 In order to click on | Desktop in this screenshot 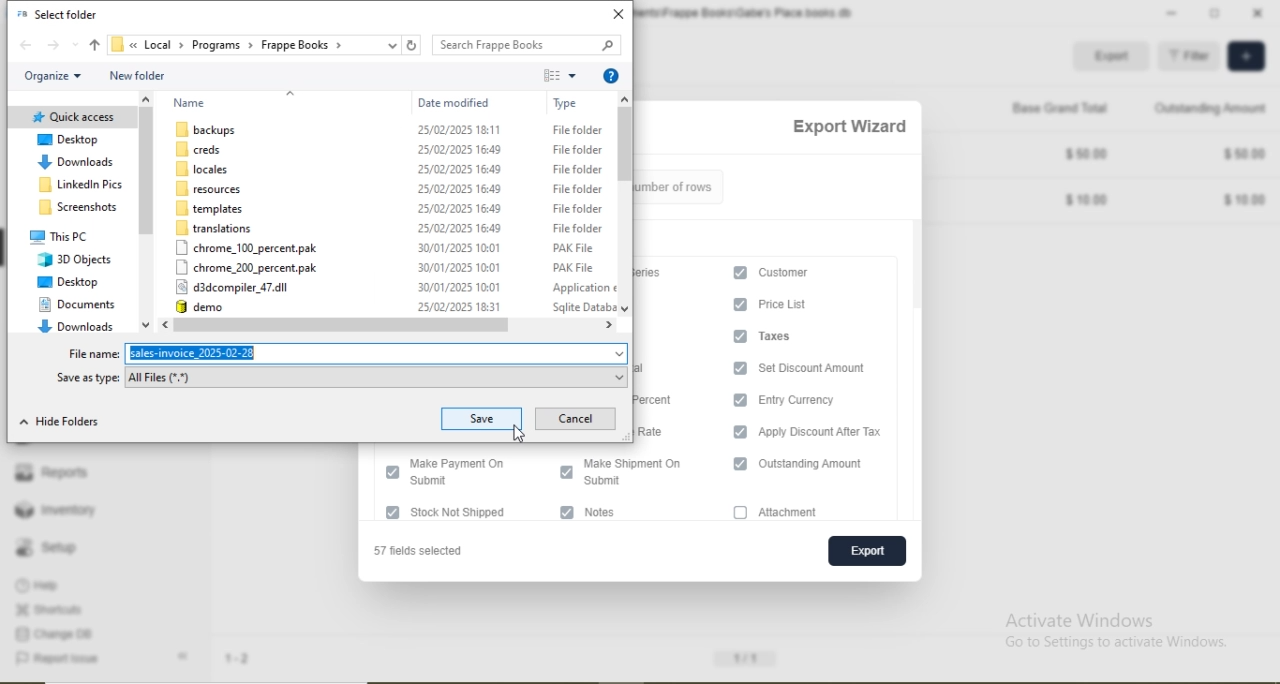, I will do `click(74, 141)`.